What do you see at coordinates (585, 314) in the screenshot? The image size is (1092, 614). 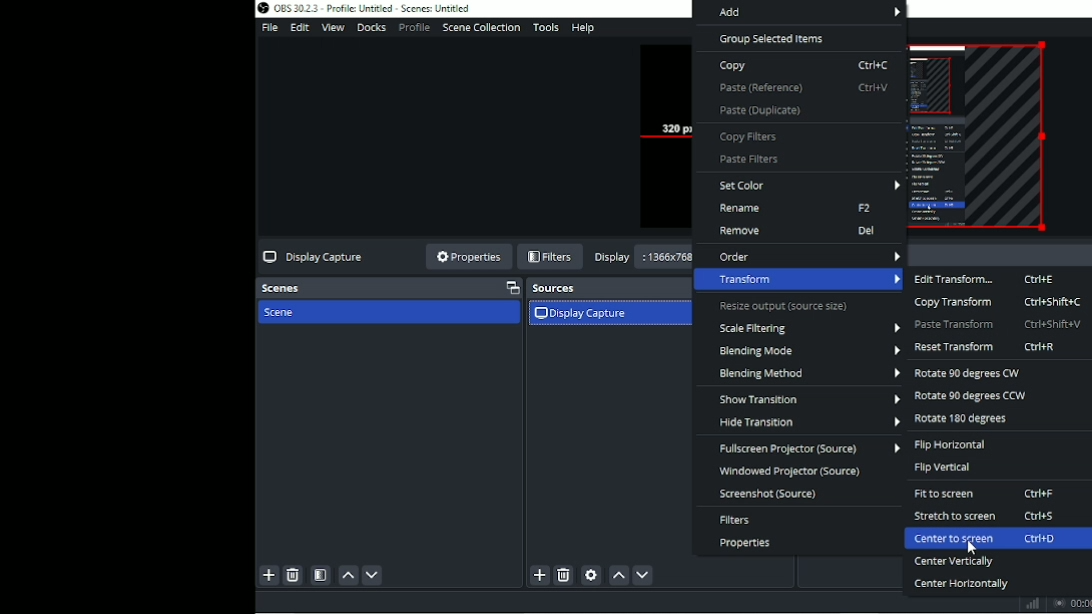 I see `Display capture` at bounding box center [585, 314].